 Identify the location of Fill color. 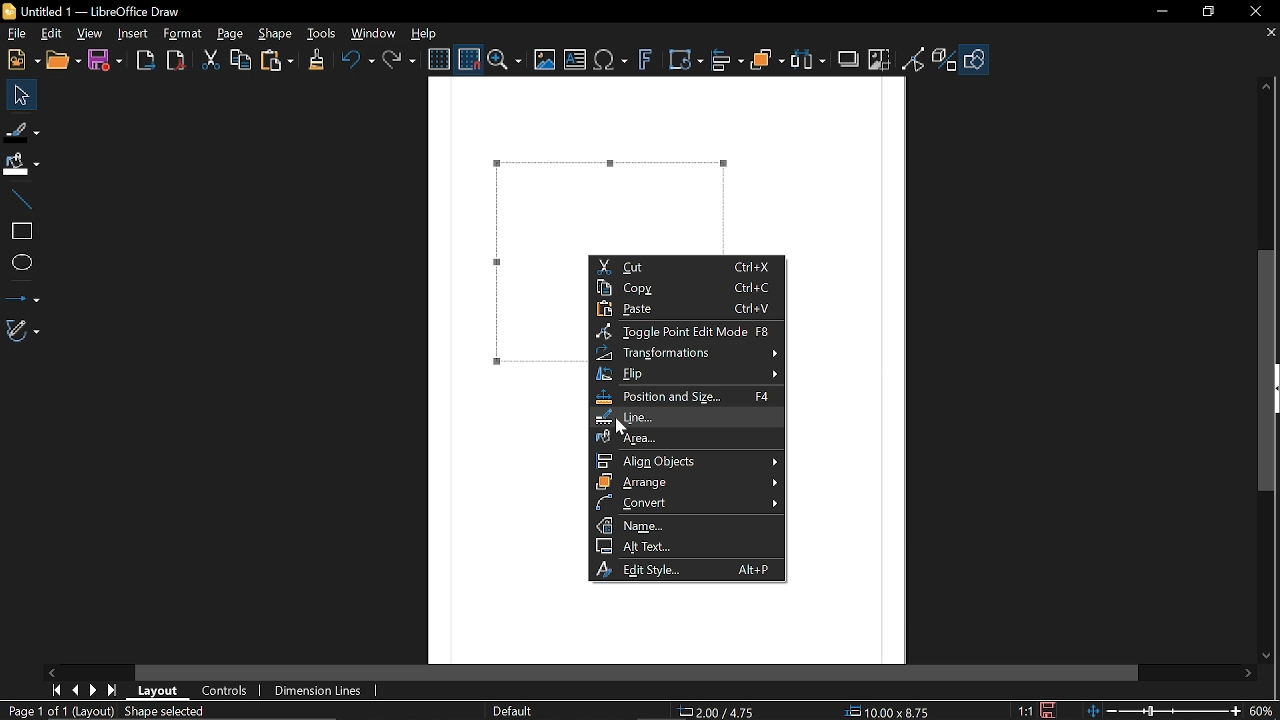
(21, 165).